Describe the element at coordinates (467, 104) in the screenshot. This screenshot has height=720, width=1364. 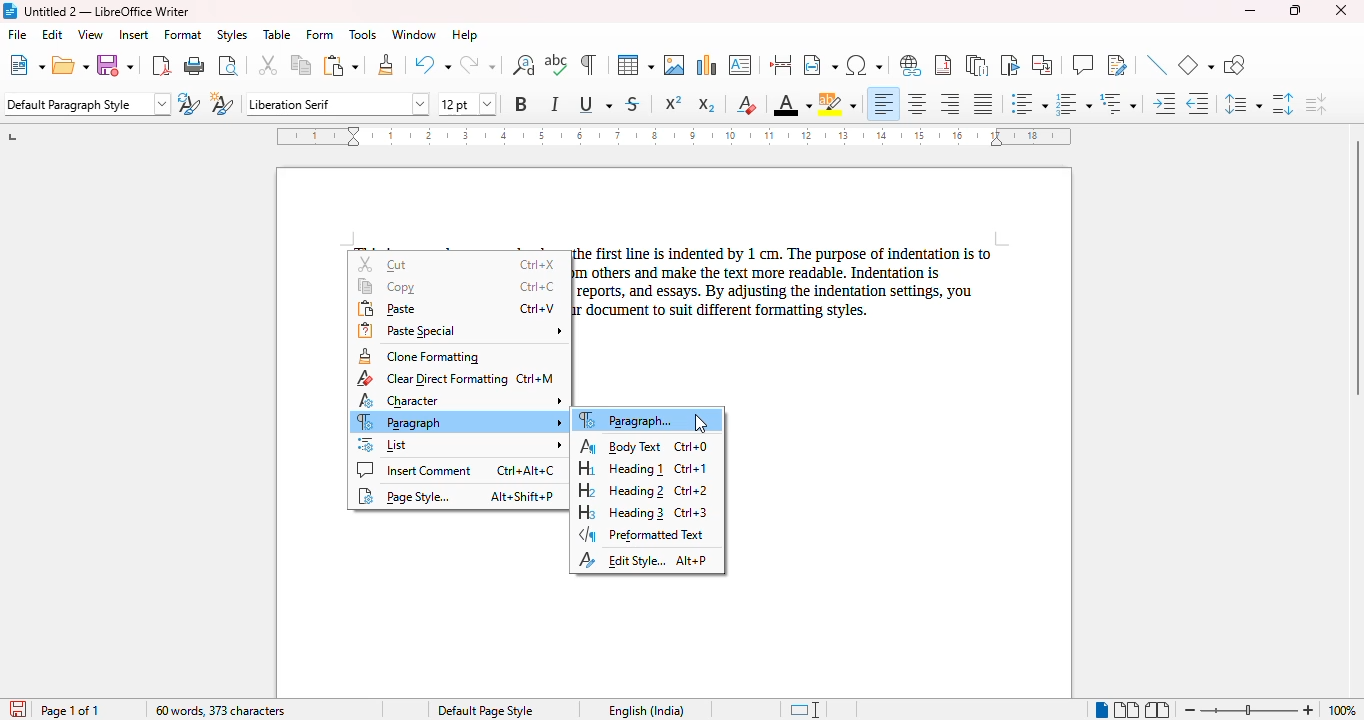
I see `font size` at that location.